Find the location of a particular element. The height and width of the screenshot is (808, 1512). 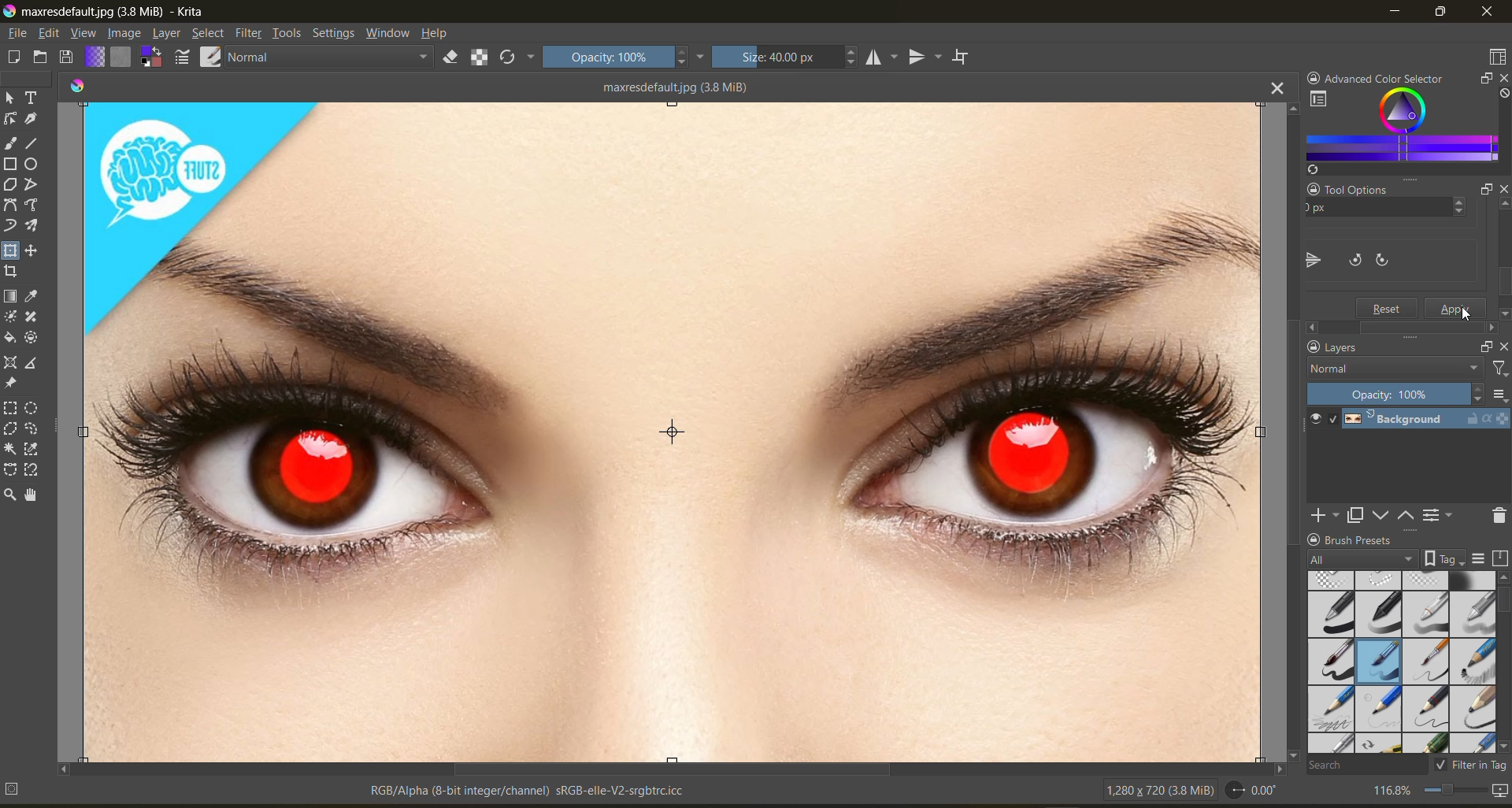

flip canvas vertically is located at coordinates (1376, 260).